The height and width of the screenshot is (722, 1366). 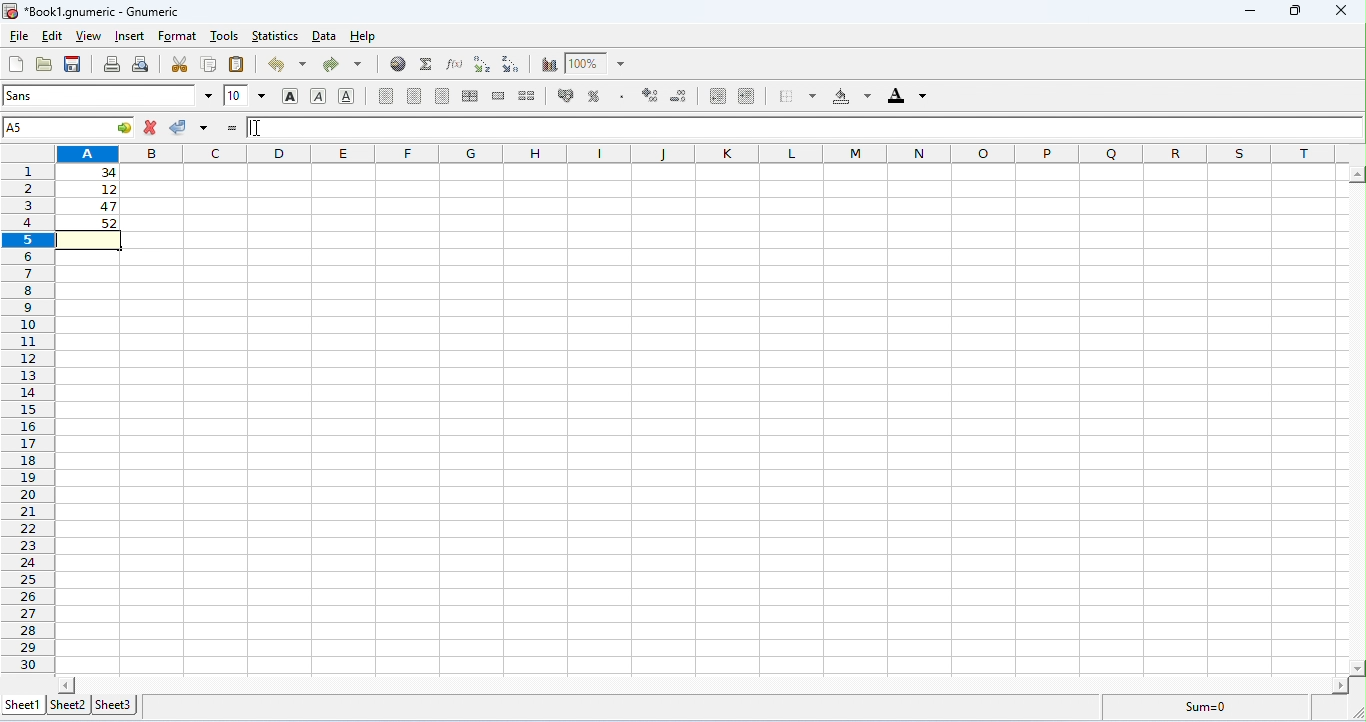 What do you see at coordinates (703, 153) in the screenshot?
I see `column headings` at bounding box center [703, 153].